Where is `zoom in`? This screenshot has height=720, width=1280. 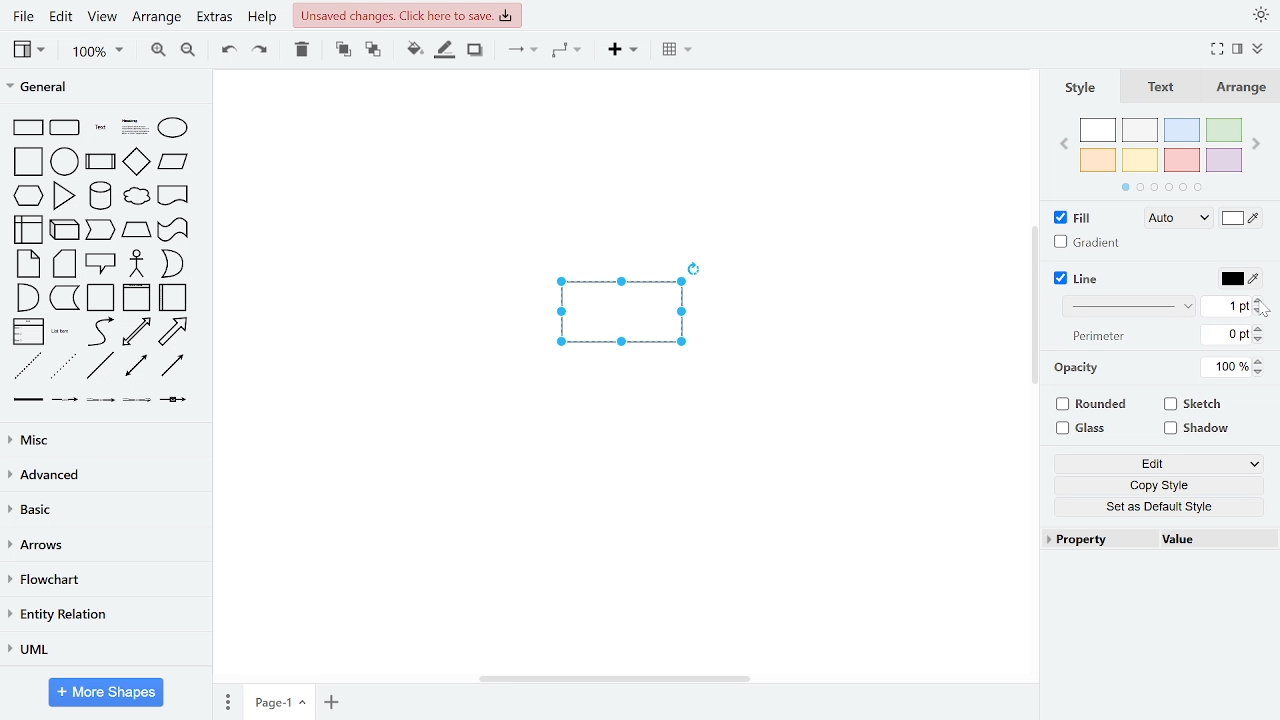
zoom in is located at coordinates (157, 52).